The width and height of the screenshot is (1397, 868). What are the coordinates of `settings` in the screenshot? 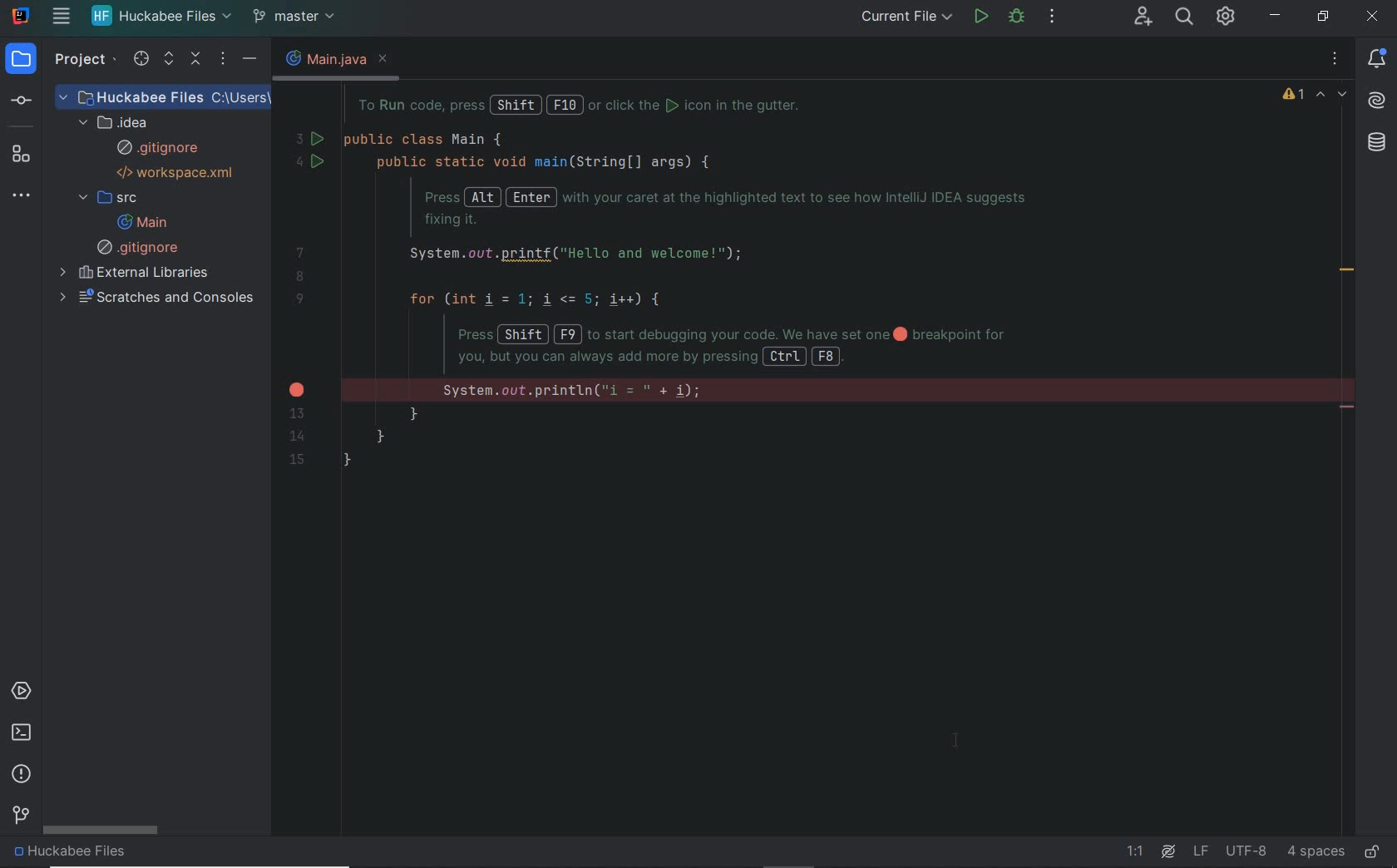 It's located at (1227, 19).